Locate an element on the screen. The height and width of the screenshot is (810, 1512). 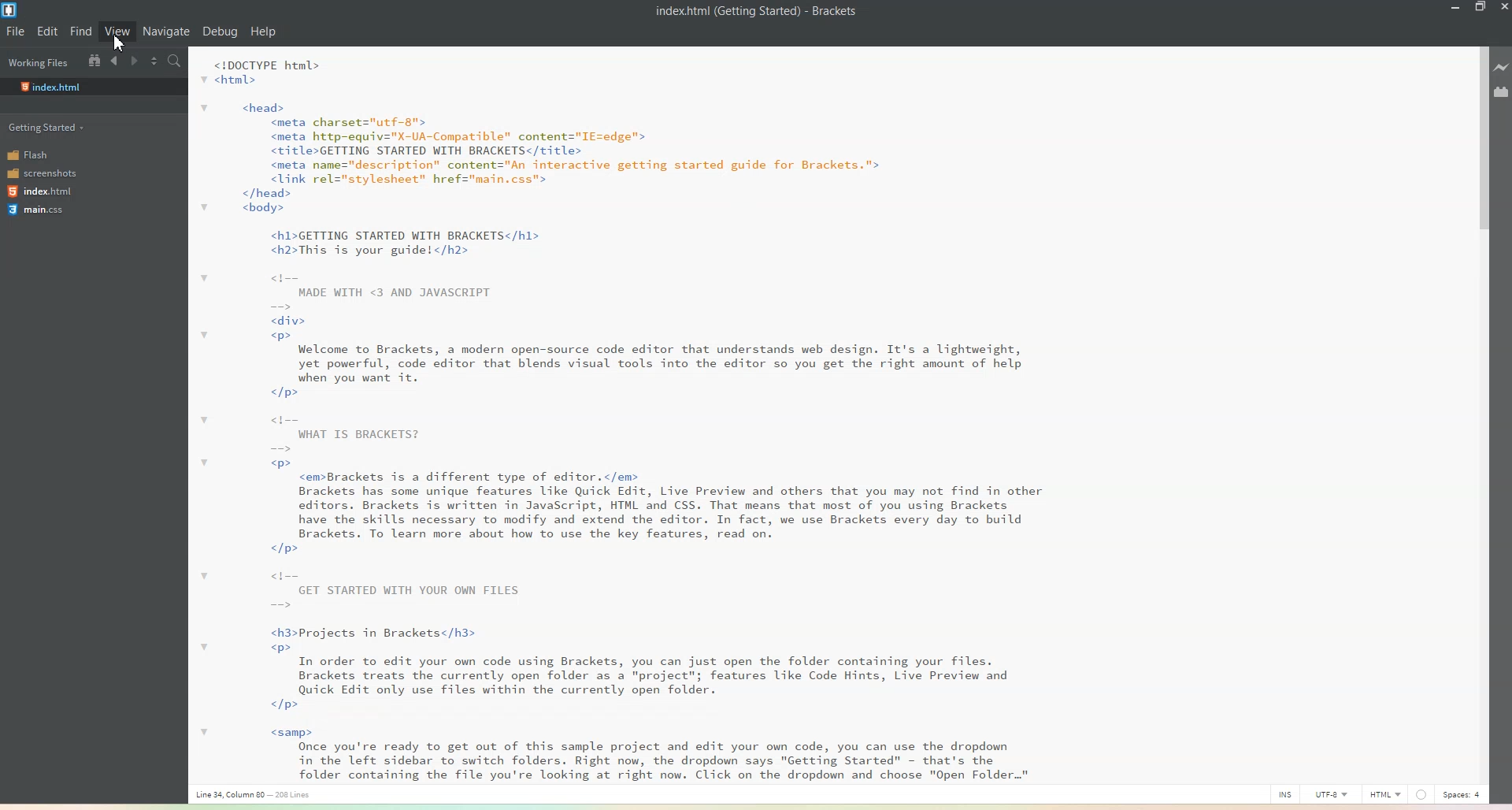
index.html is located at coordinates (44, 192).